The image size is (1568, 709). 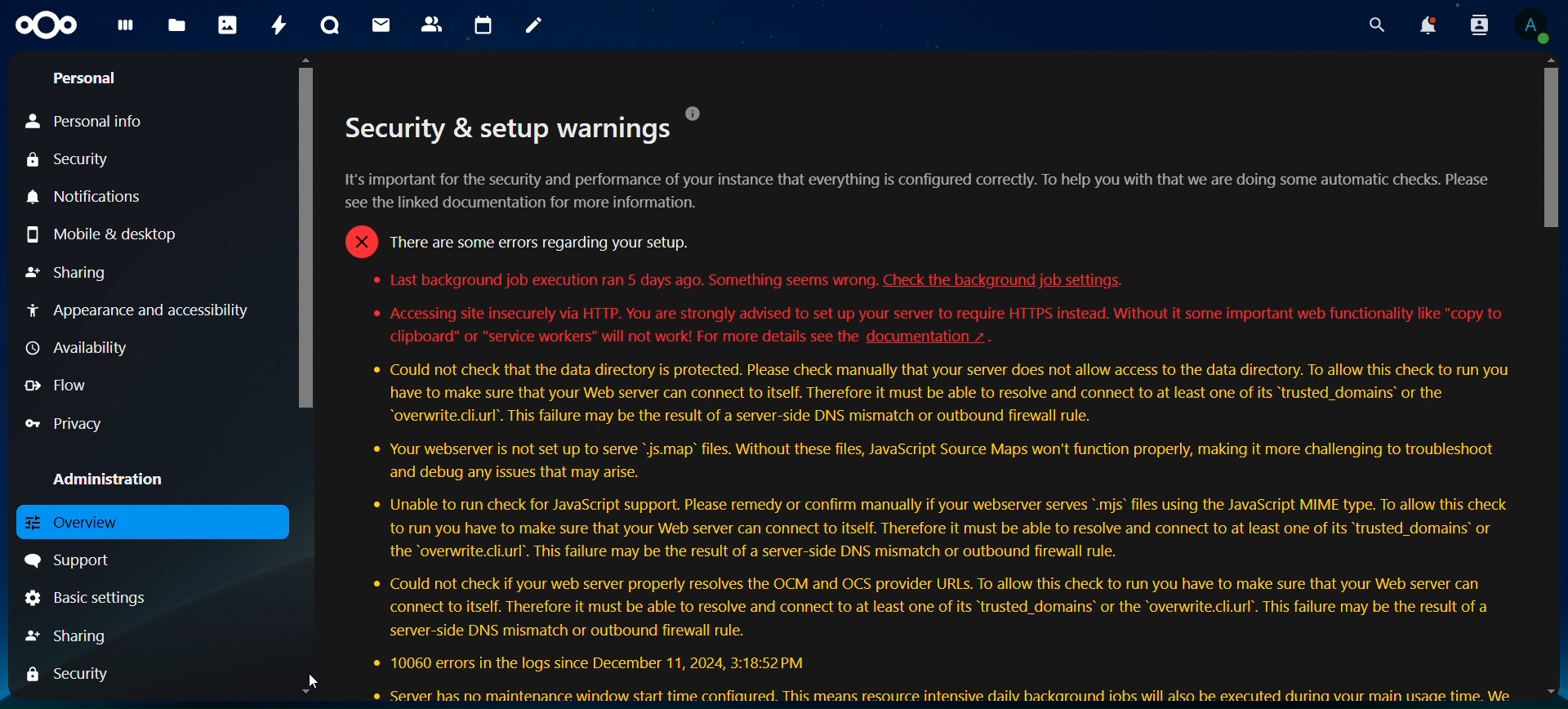 What do you see at coordinates (383, 25) in the screenshot?
I see `mail` at bounding box center [383, 25].